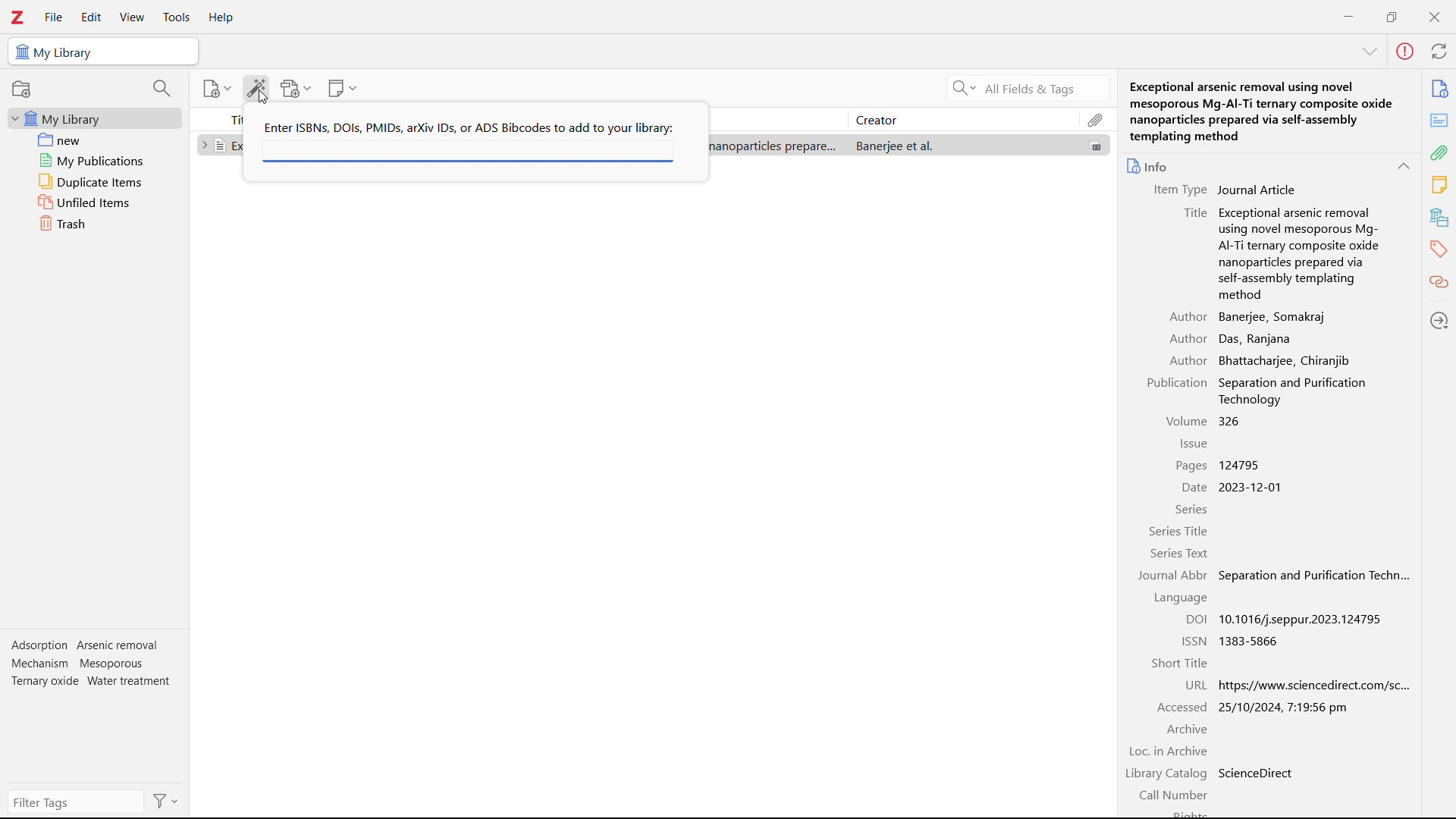 Image resolution: width=1456 pixels, height=819 pixels. What do you see at coordinates (1348, 15) in the screenshot?
I see `minimize` at bounding box center [1348, 15].